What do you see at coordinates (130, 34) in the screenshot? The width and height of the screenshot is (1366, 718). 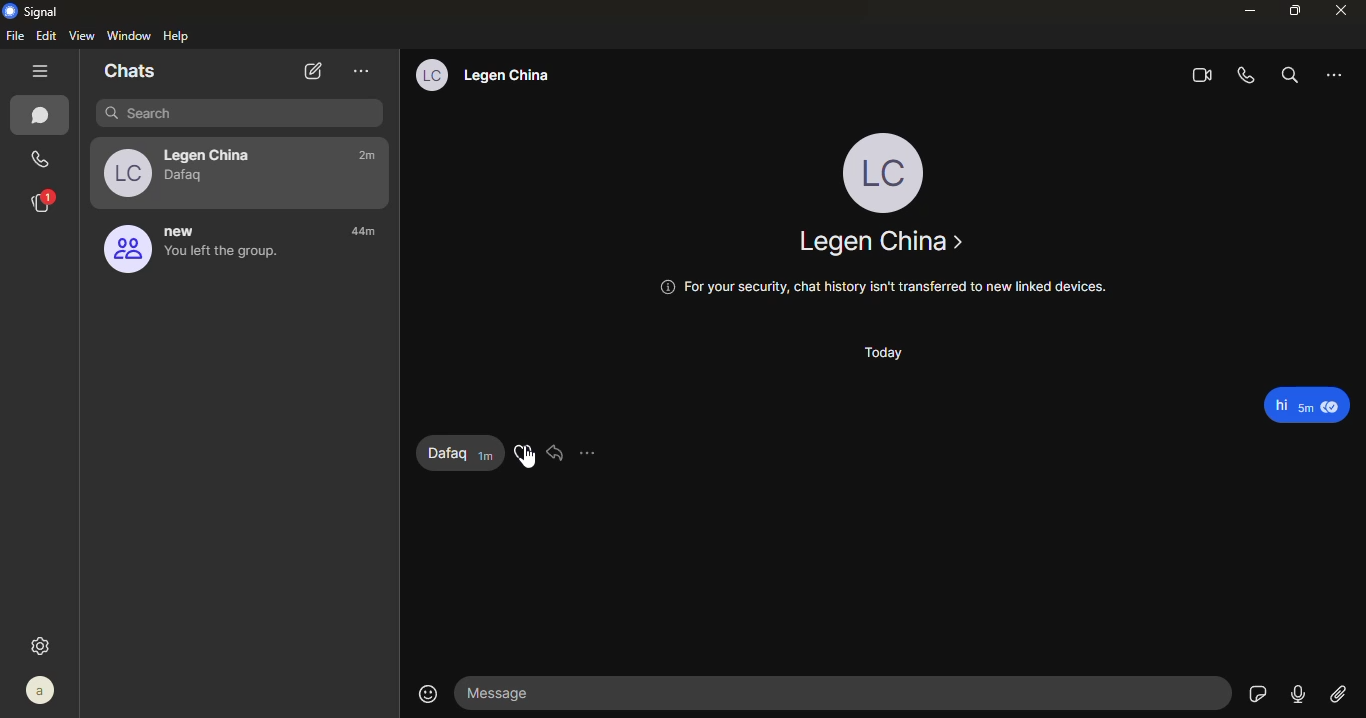 I see `window` at bounding box center [130, 34].